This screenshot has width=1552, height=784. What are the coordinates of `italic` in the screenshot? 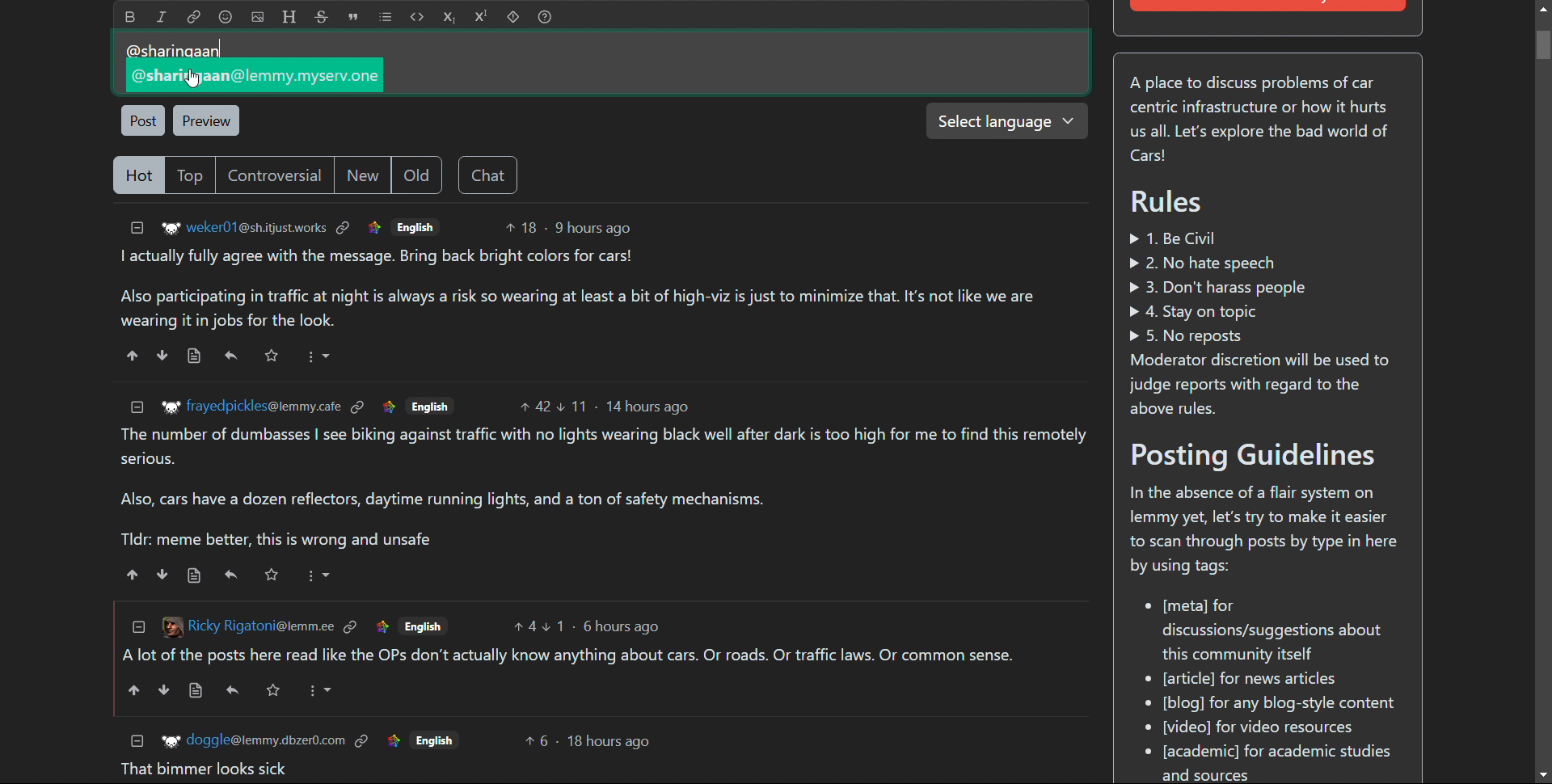 It's located at (162, 18).